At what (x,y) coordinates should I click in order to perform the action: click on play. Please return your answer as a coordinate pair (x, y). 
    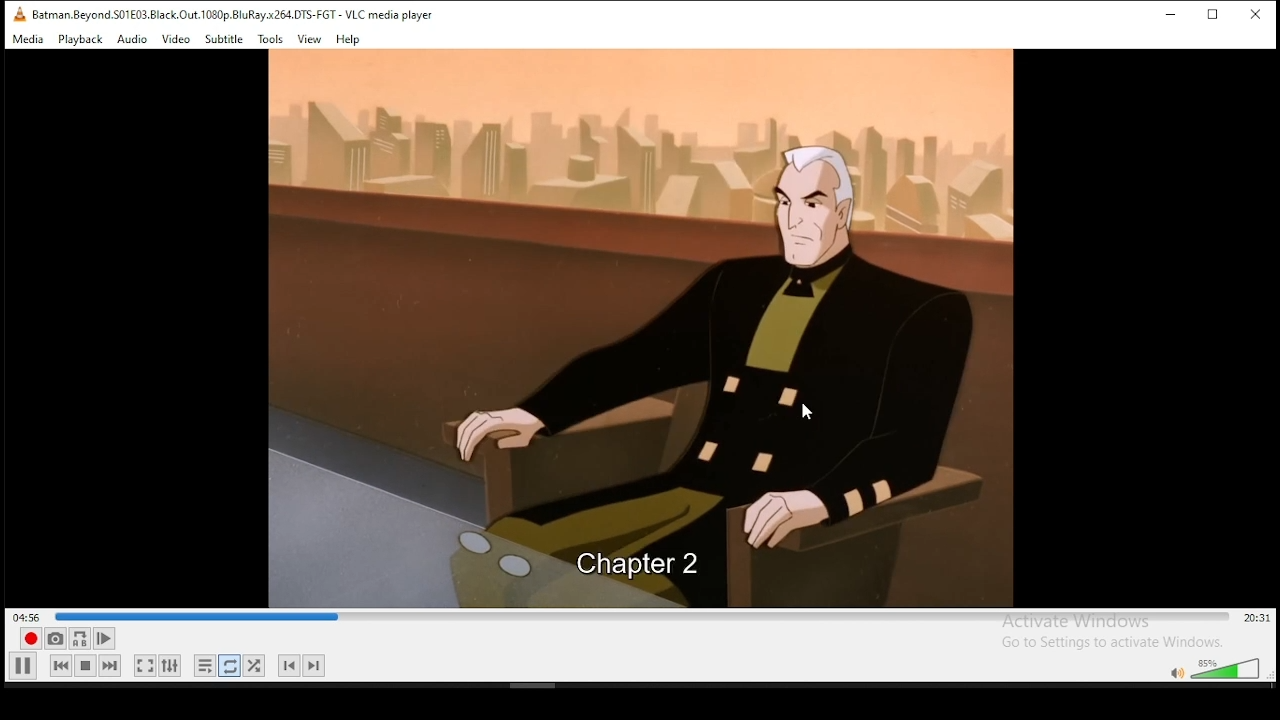
    Looking at the image, I should click on (23, 666).